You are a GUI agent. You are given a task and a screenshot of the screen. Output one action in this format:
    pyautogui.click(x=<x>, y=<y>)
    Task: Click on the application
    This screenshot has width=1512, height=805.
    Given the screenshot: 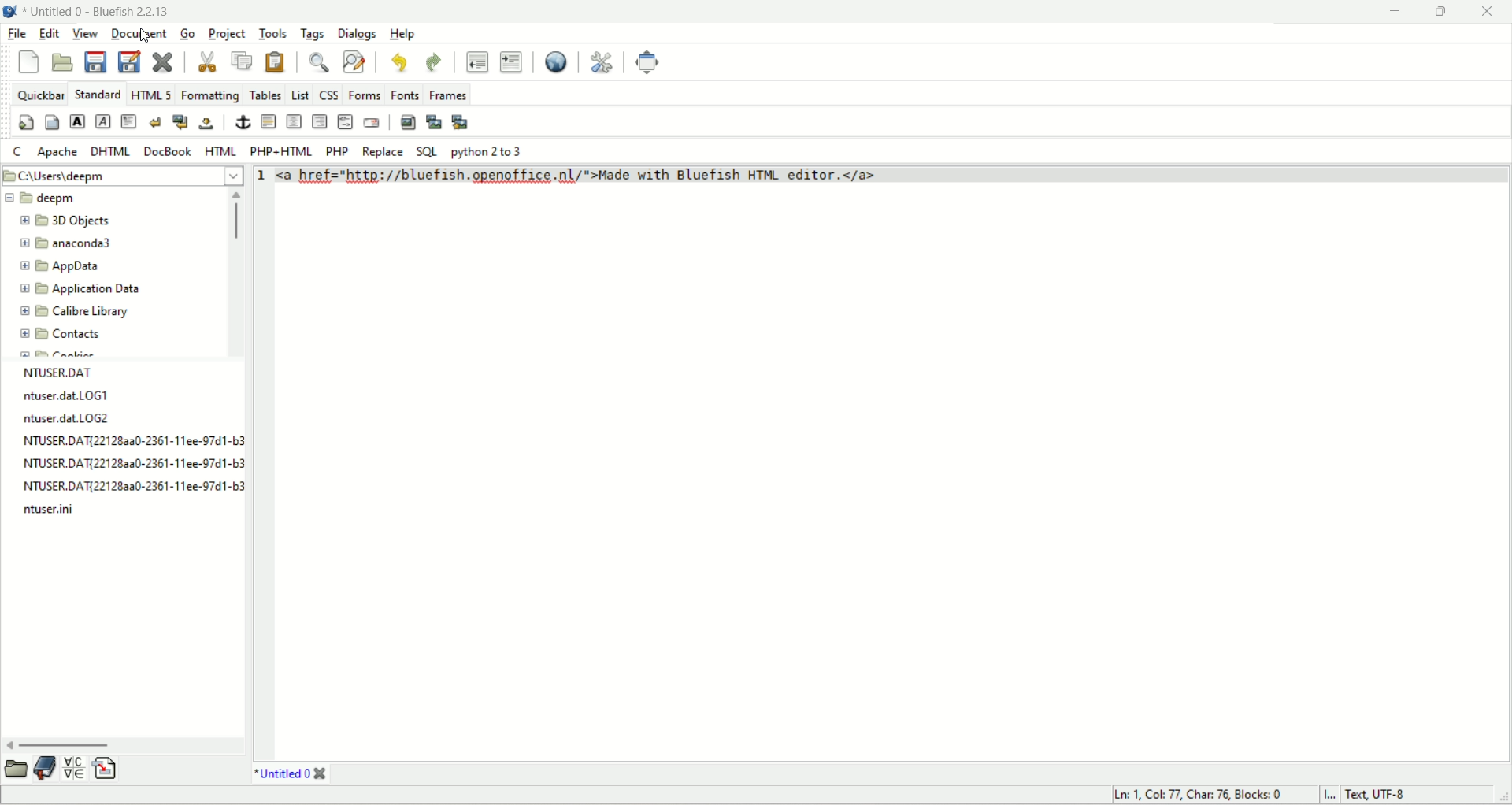 What is the action you would take?
    pyautogui.click(x=86, y=287)
    